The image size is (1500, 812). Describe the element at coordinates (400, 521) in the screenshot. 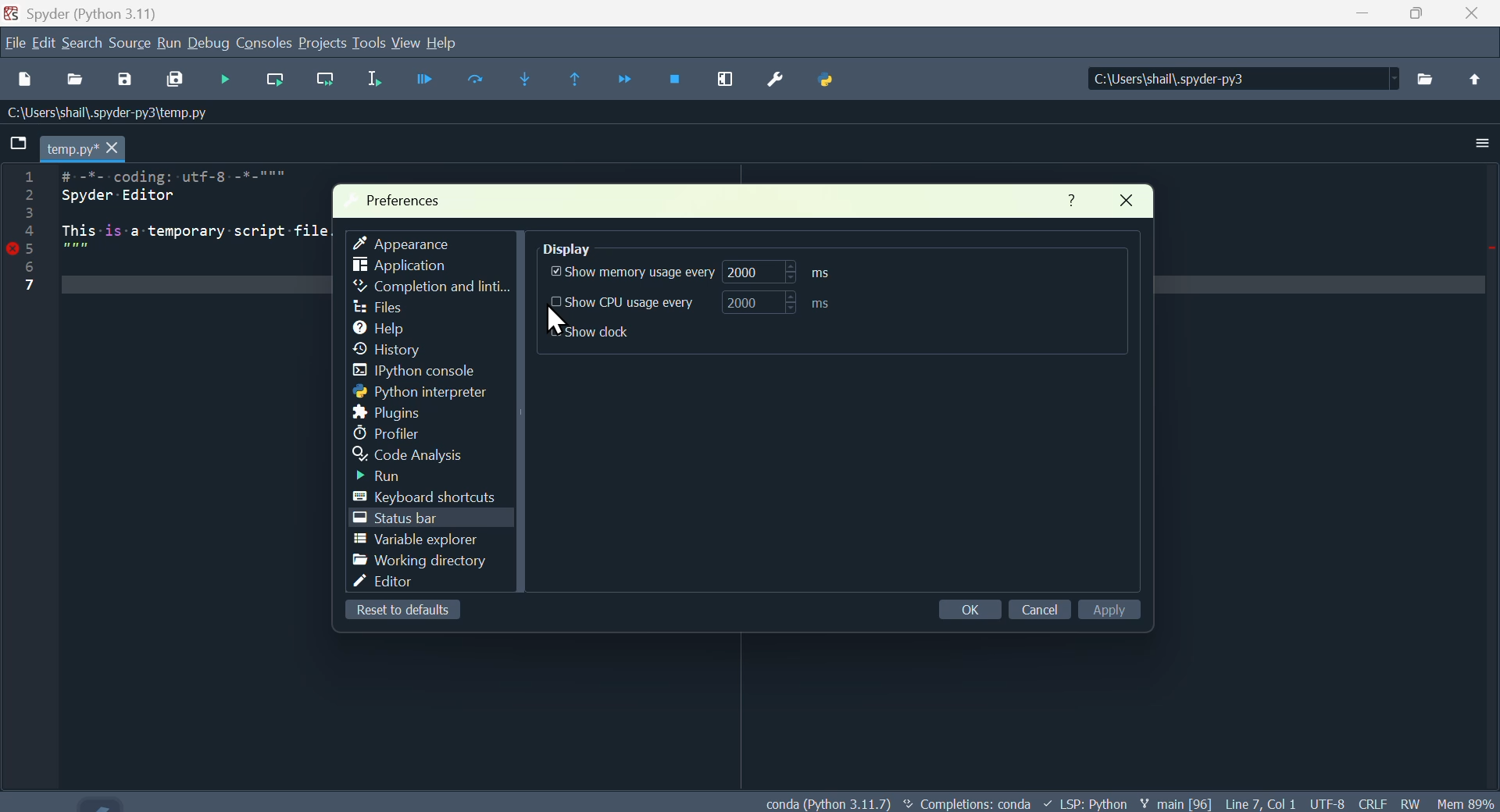

I see `Status bar` at that location.